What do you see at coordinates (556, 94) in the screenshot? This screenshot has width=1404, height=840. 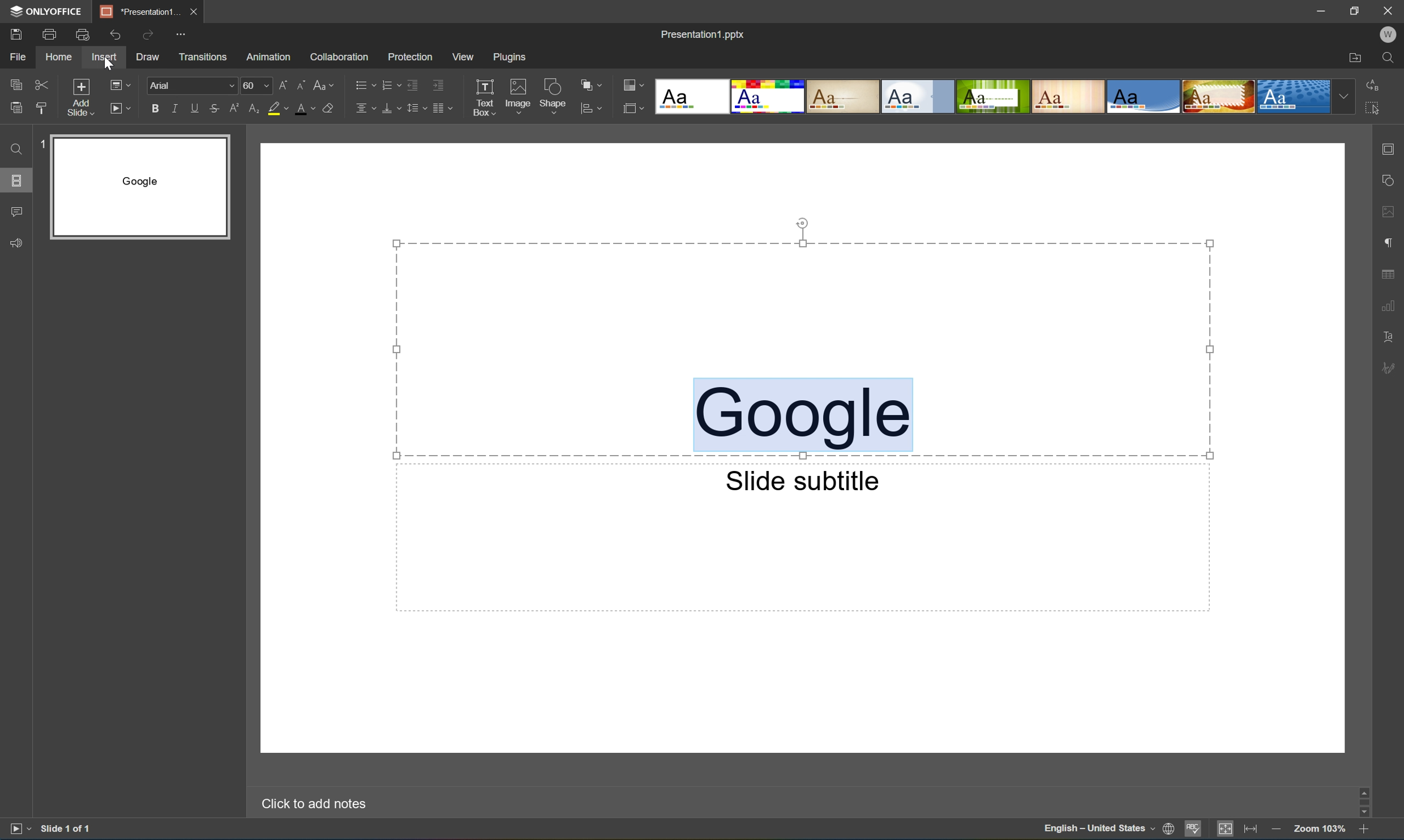 I see `Shape` at bounding box center [556, 94].